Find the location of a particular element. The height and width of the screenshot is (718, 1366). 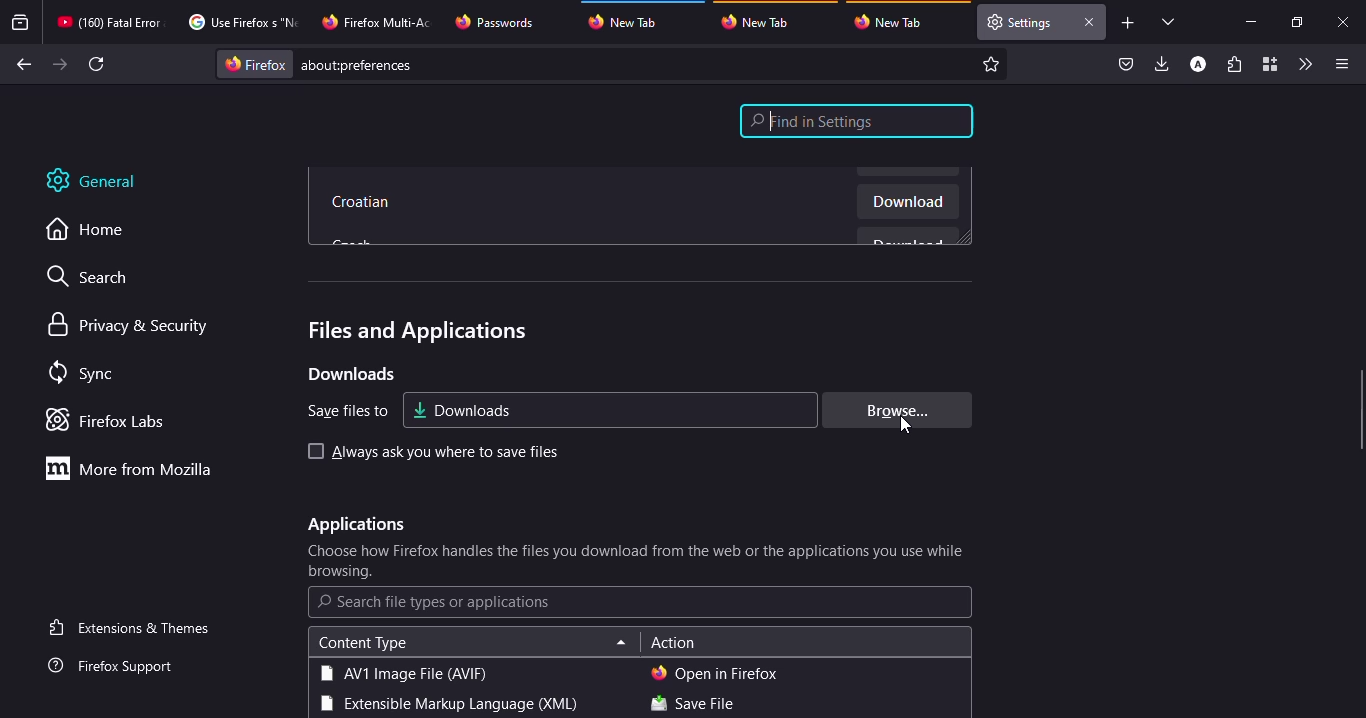

action is located at coordinates (673, 644).